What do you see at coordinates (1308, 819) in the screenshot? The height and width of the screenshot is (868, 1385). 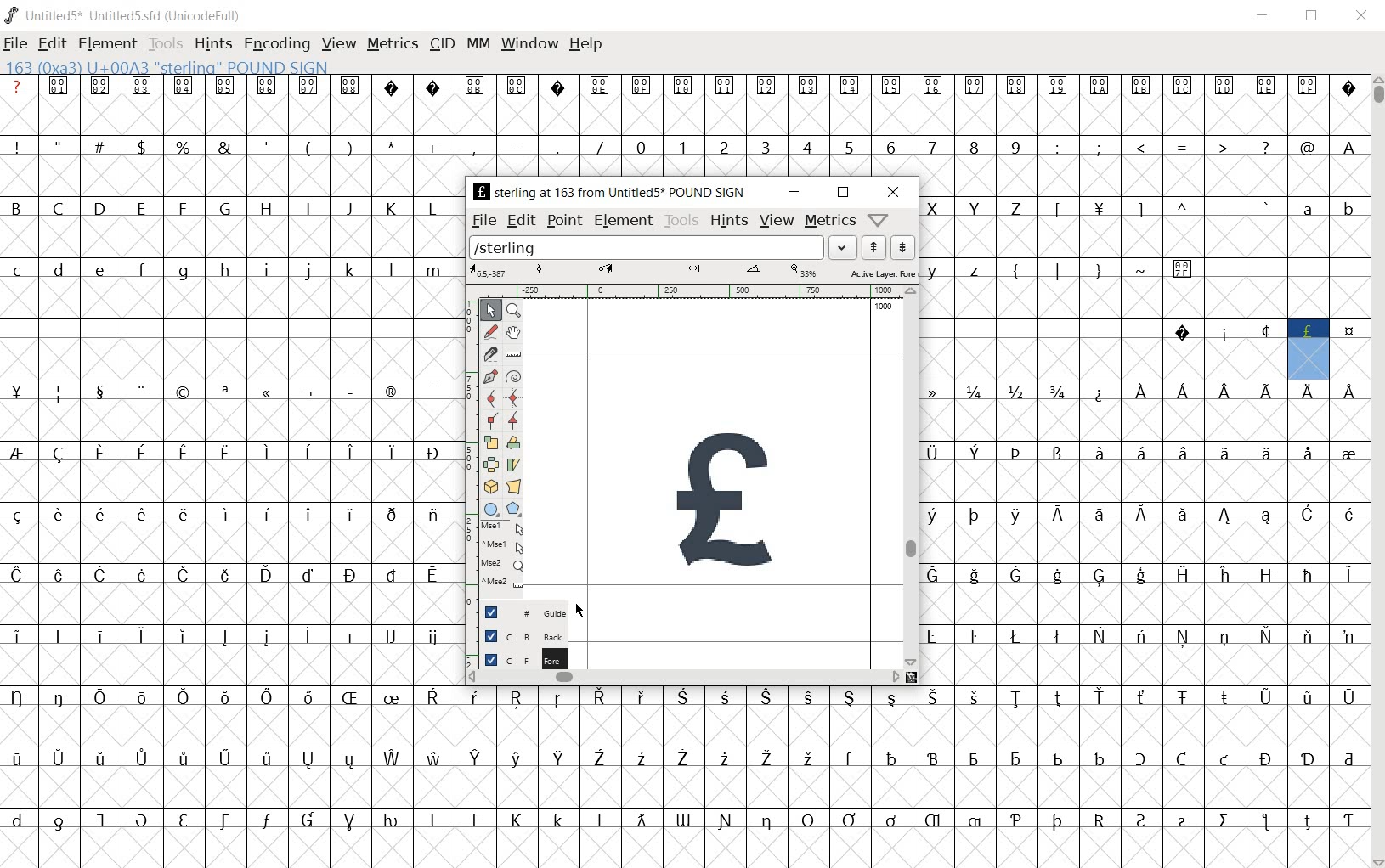 I see `Symbol` at bounding box center [1308, 819].